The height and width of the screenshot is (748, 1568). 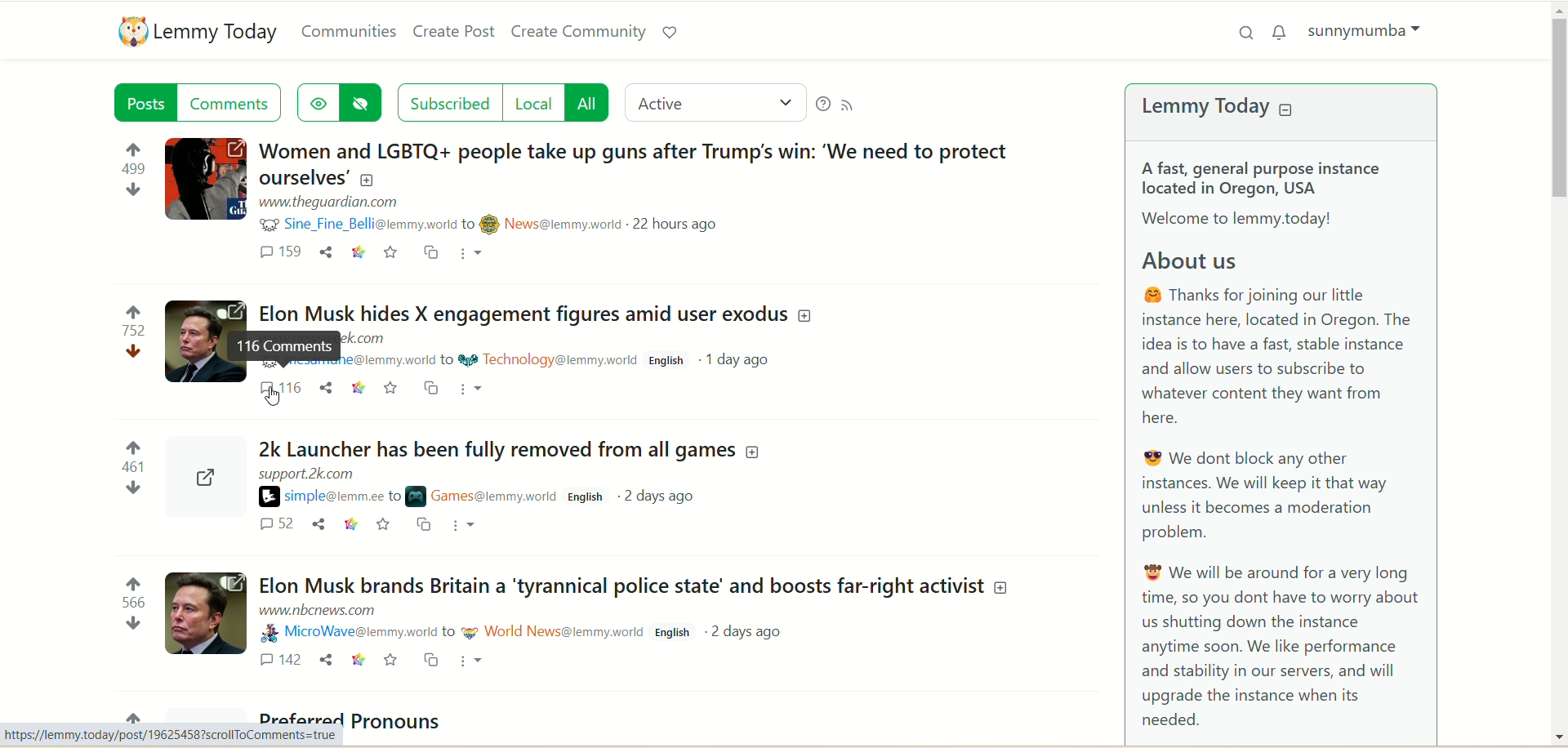 What do you see at coordinates (132, 623) in the screenshot?
I see `Downvote` at bounding box center [132, 623].